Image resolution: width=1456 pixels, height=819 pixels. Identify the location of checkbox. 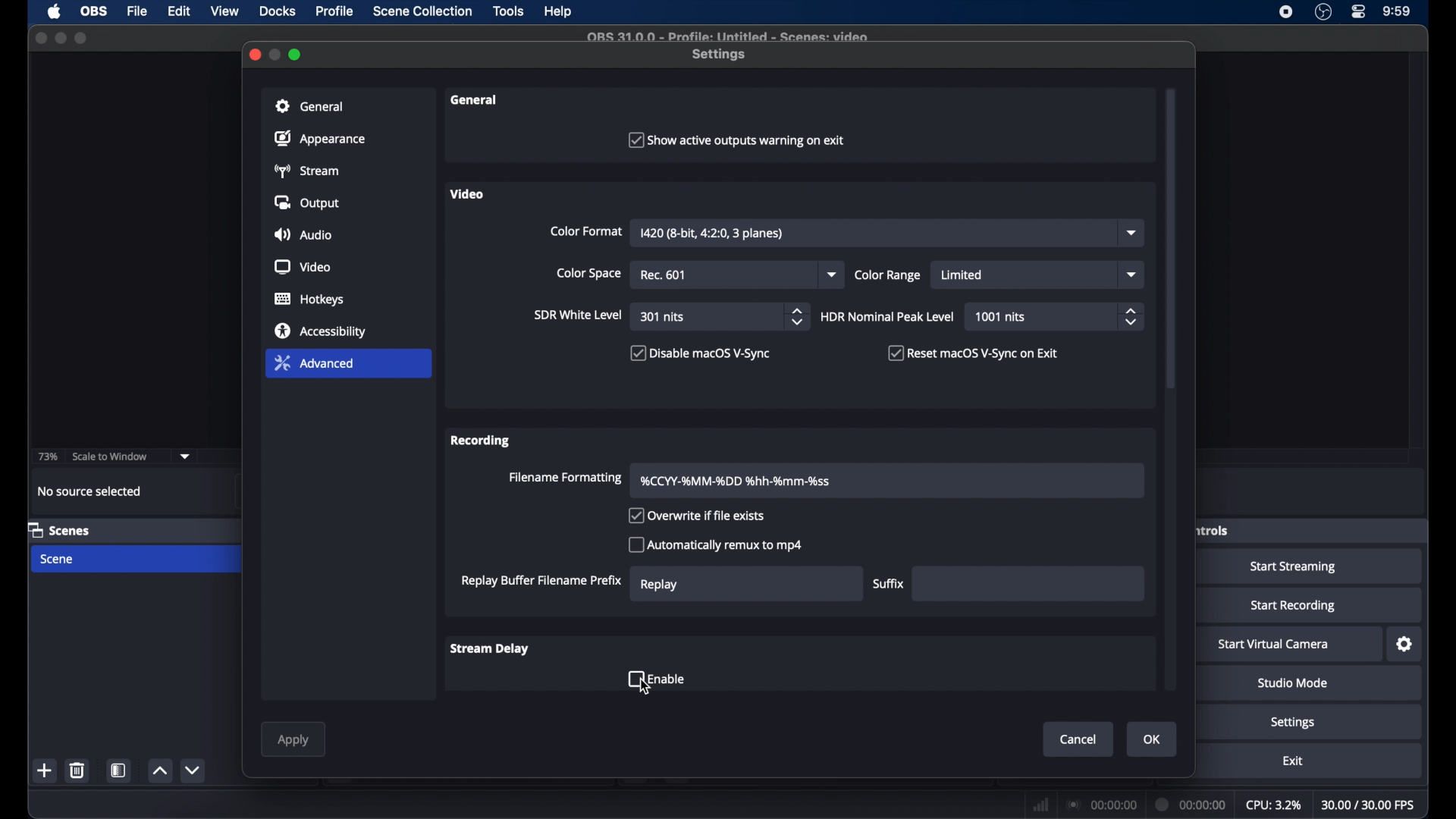
(715, 544).